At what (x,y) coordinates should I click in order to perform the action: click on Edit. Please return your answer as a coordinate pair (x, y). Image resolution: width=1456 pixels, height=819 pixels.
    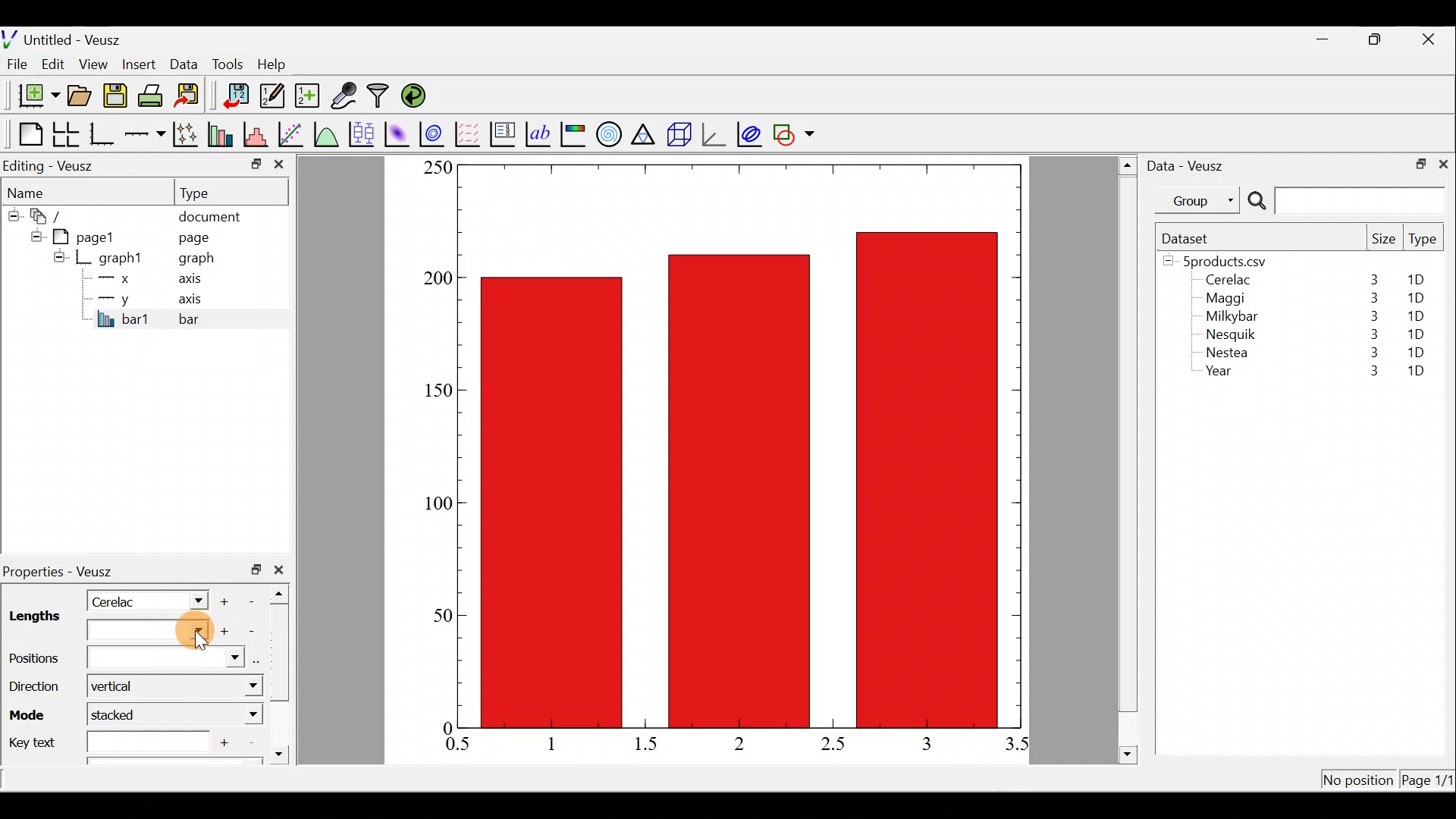
    Looking at the image, I should click on (53, 63).